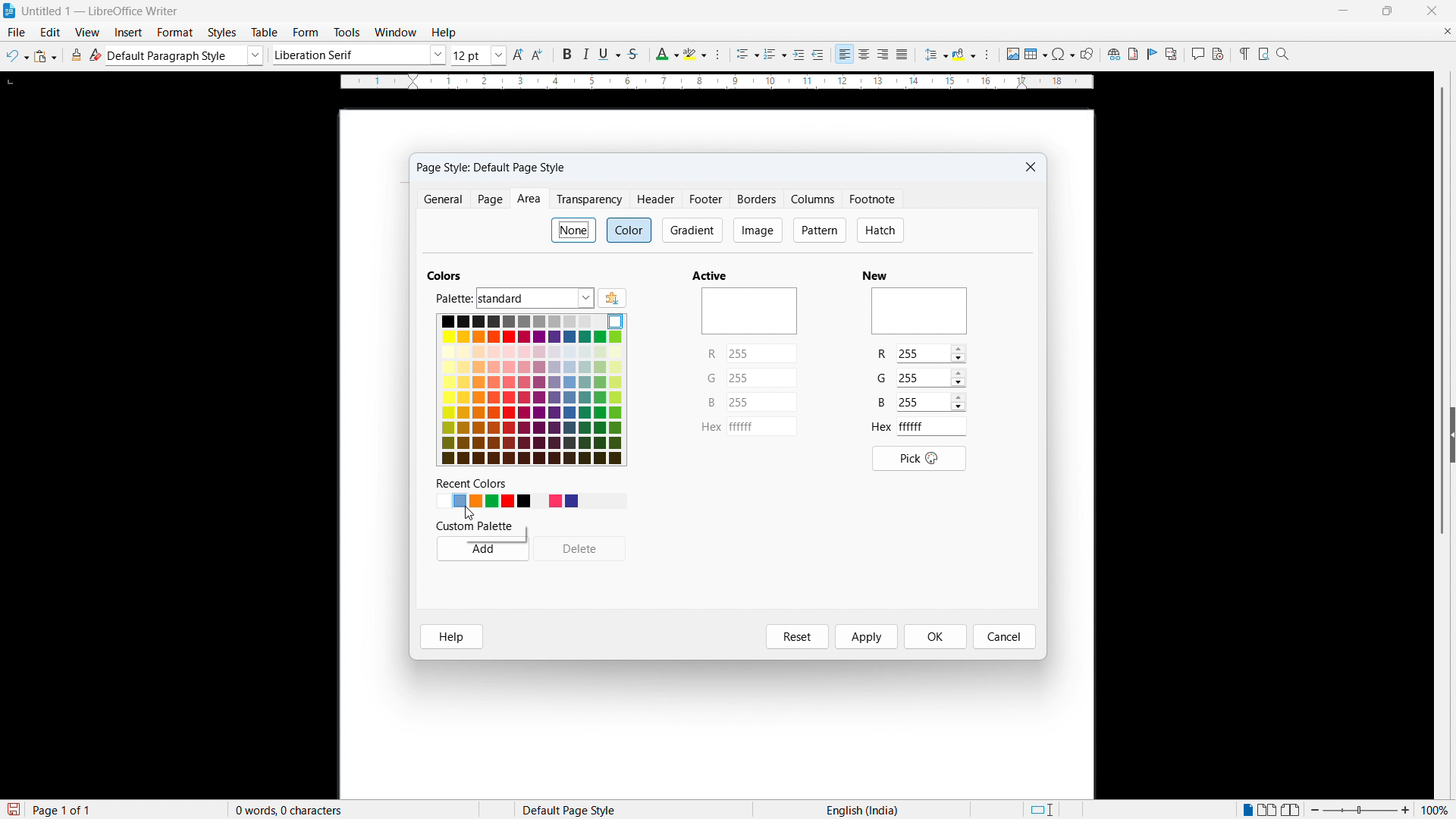 The width and height of the screenshot is (1456, 819). Describe the element at coordinates (930, 353) in the screenshot. I see `set R` at that location.